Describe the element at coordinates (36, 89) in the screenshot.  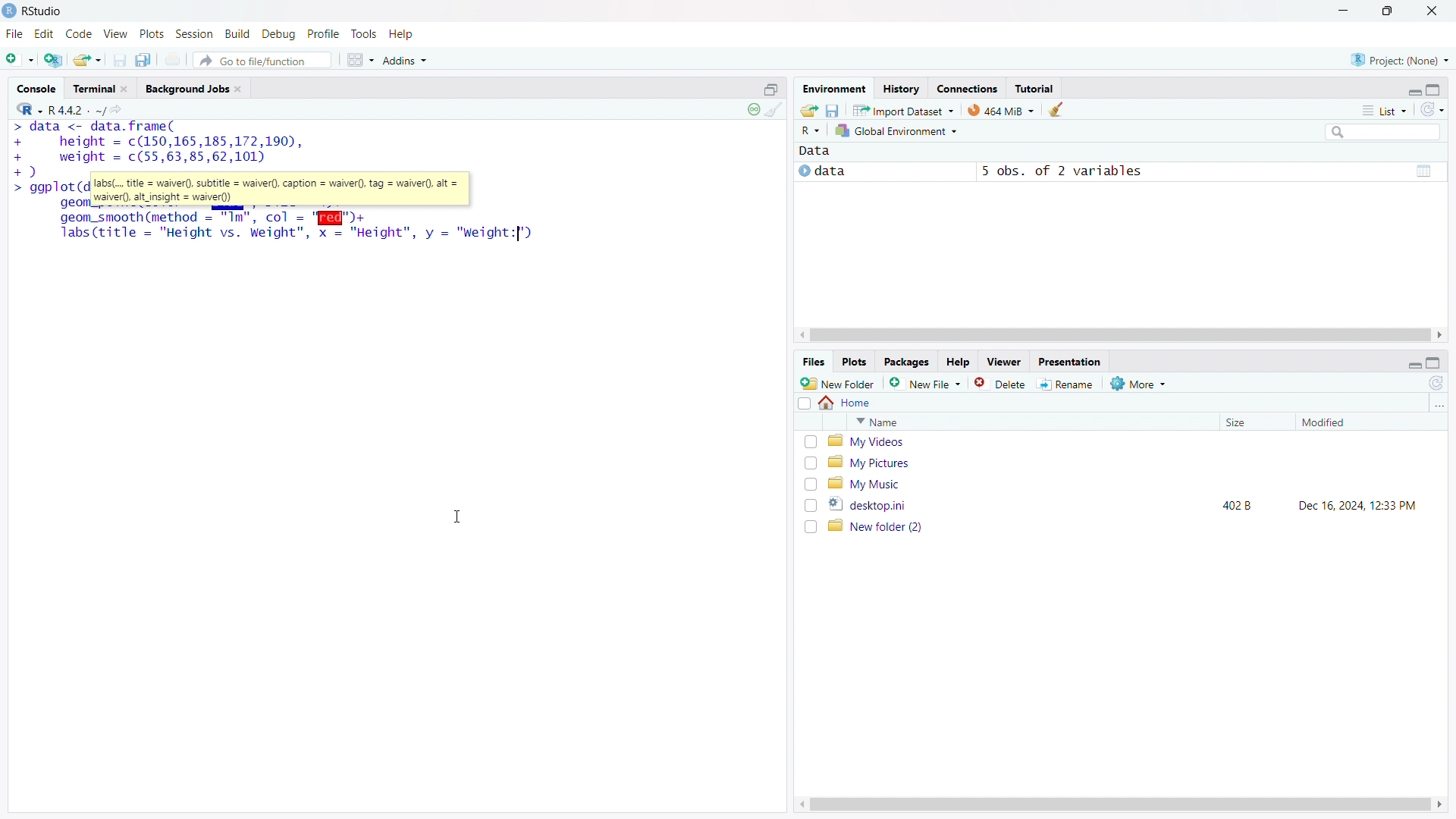
I see `console` at that location.